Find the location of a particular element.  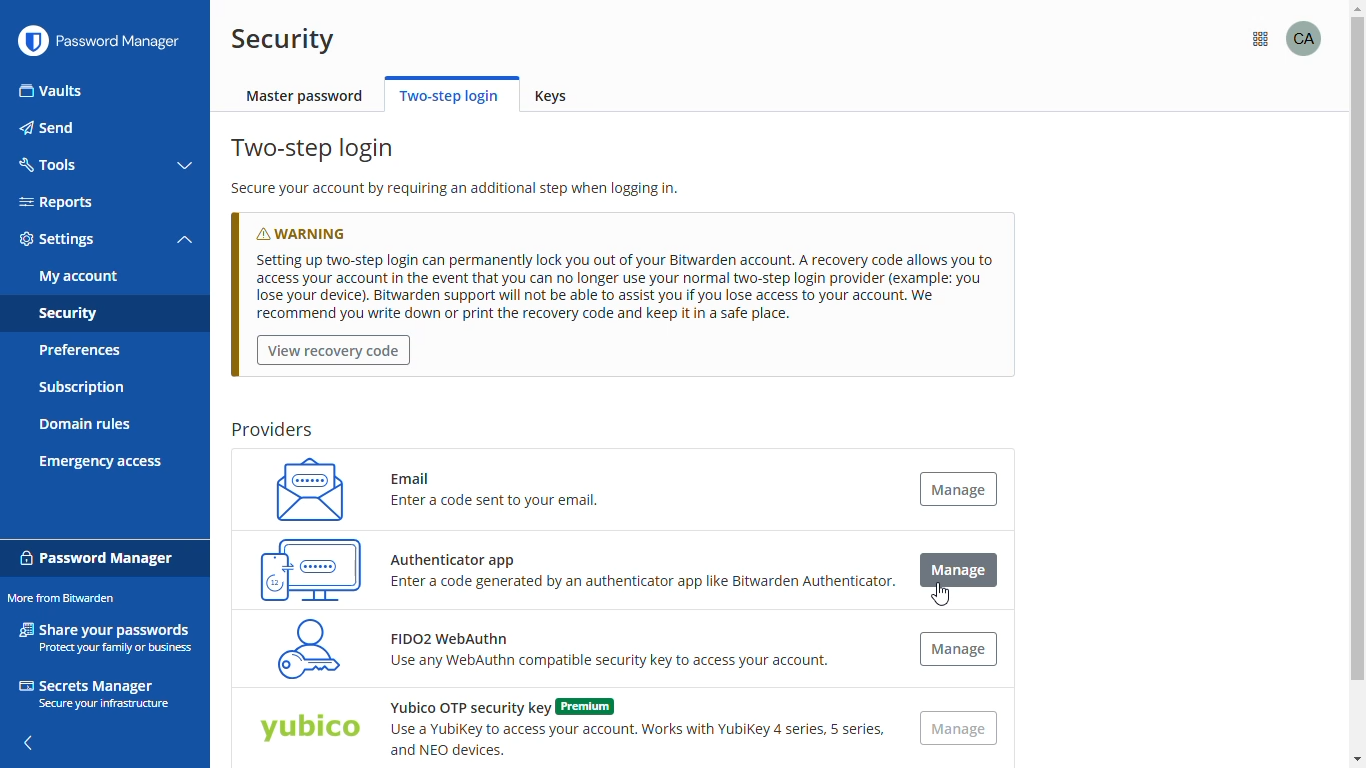

logo is located at coordinates (32, 41).